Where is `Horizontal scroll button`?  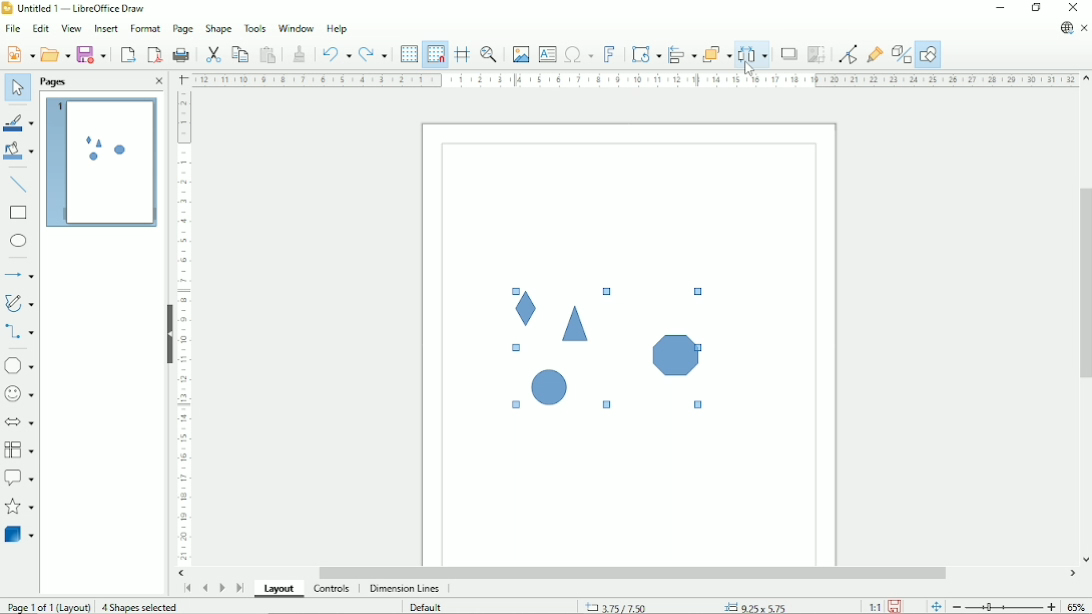
Horizontal scroll button is located at coordinates (1073, 573).